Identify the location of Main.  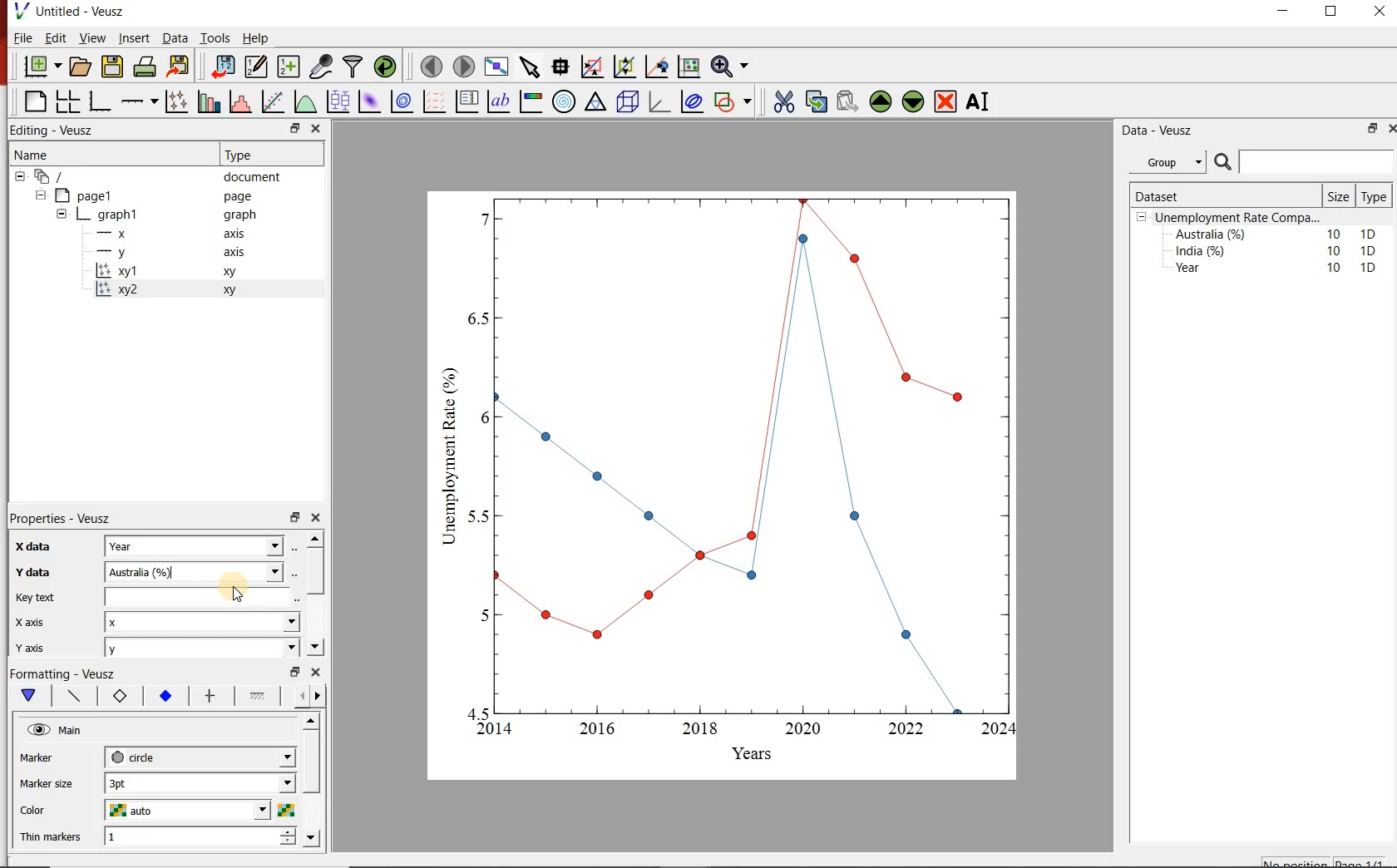
(72, 731).